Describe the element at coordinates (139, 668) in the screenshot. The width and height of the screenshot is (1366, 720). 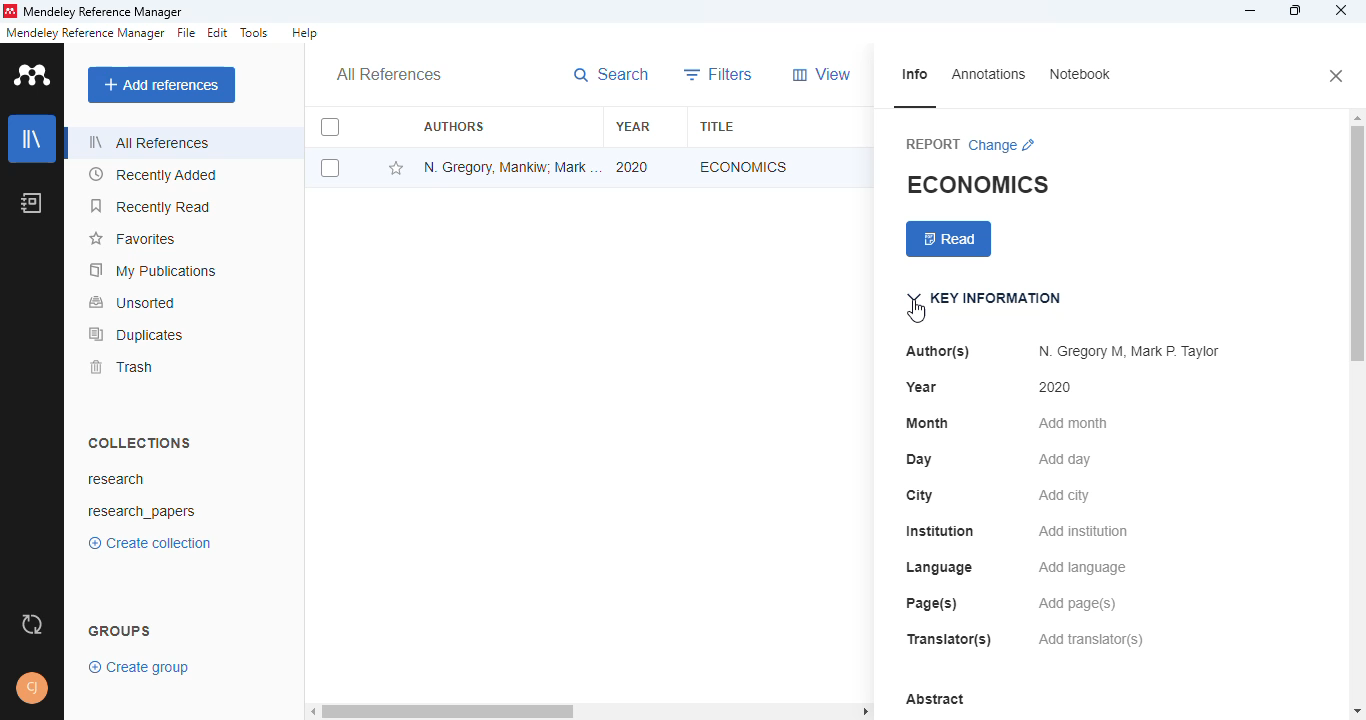
I see `create group` at that location.